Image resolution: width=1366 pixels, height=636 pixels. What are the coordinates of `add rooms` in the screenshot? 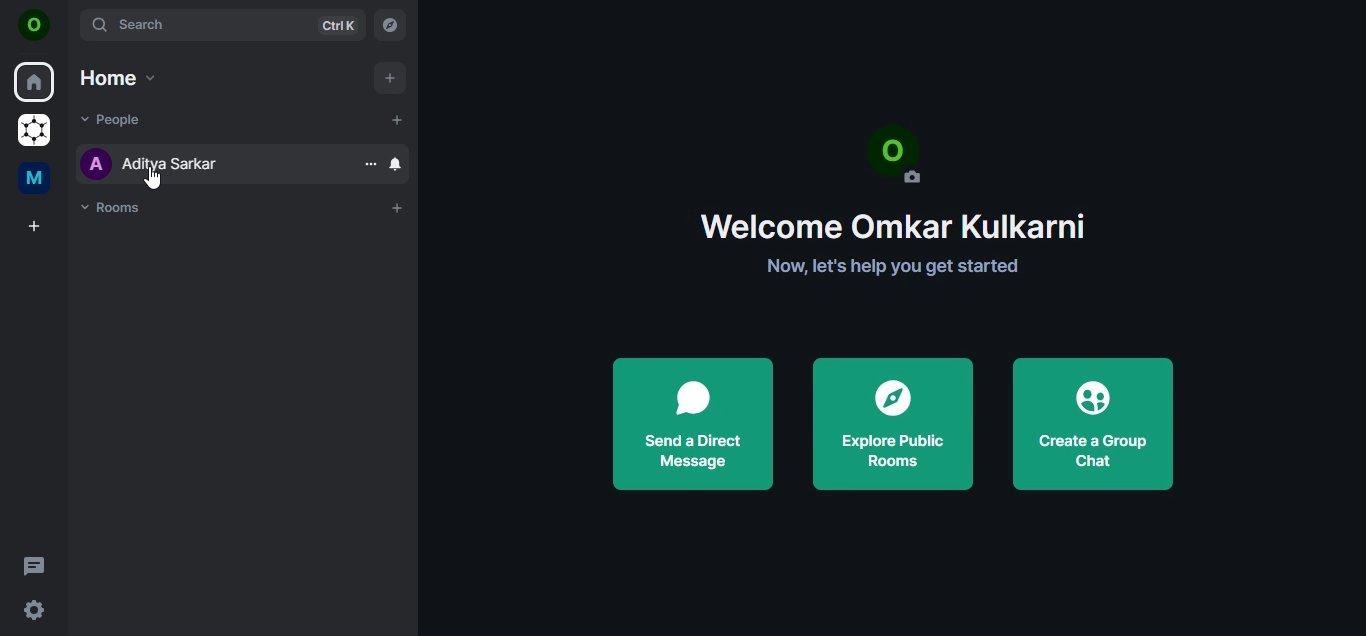 It's located at (395, 209).